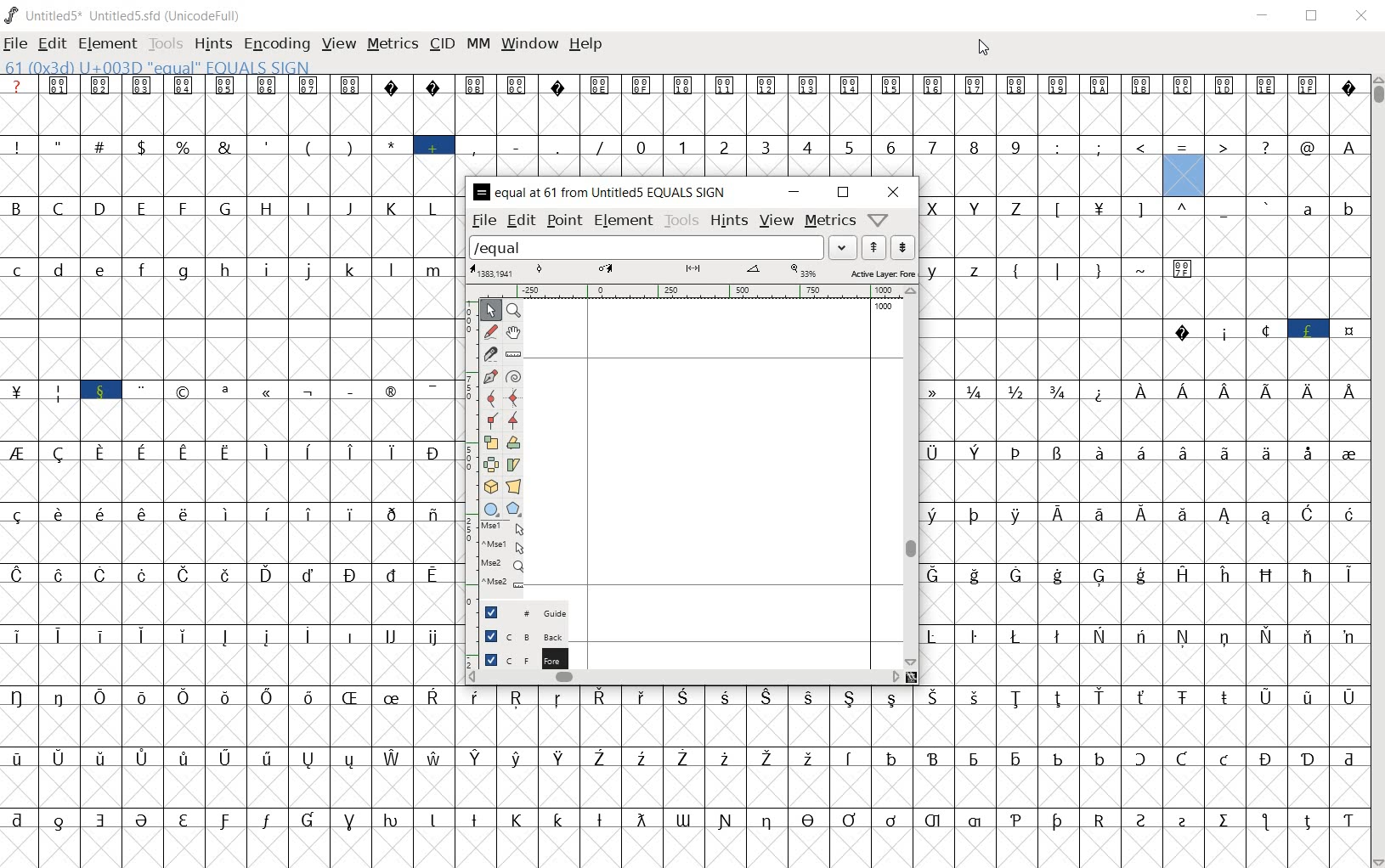 The image size is (1385, 868). Describe the element at coordinates (514, 507) in the screenshot. I see `polygon or star` at that location.